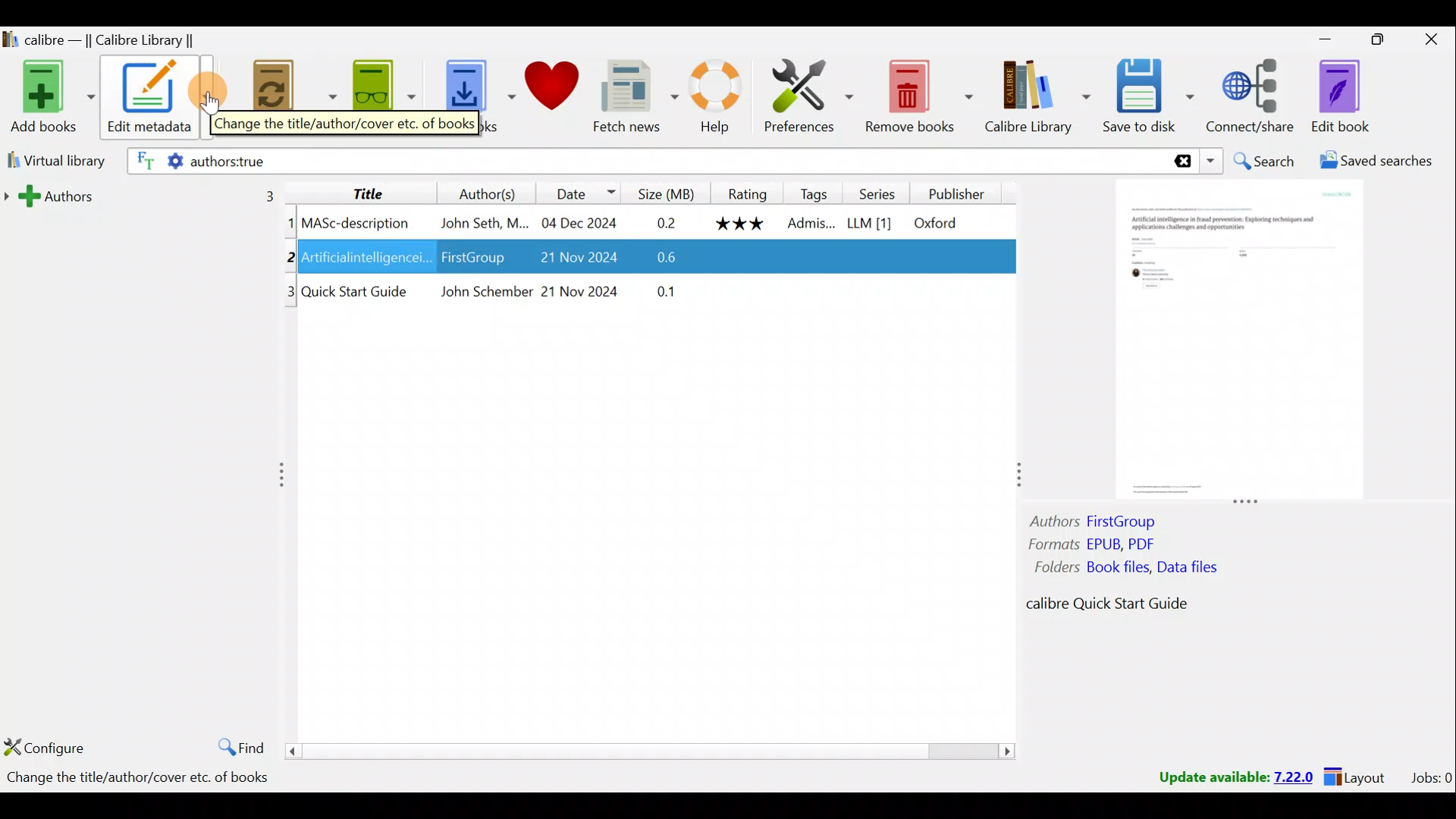 Image resolution: width=1456 pixels, height=819 pixels. Describe the element at coordinates (362, 191) in the screenshot. I see `Title` at that location.